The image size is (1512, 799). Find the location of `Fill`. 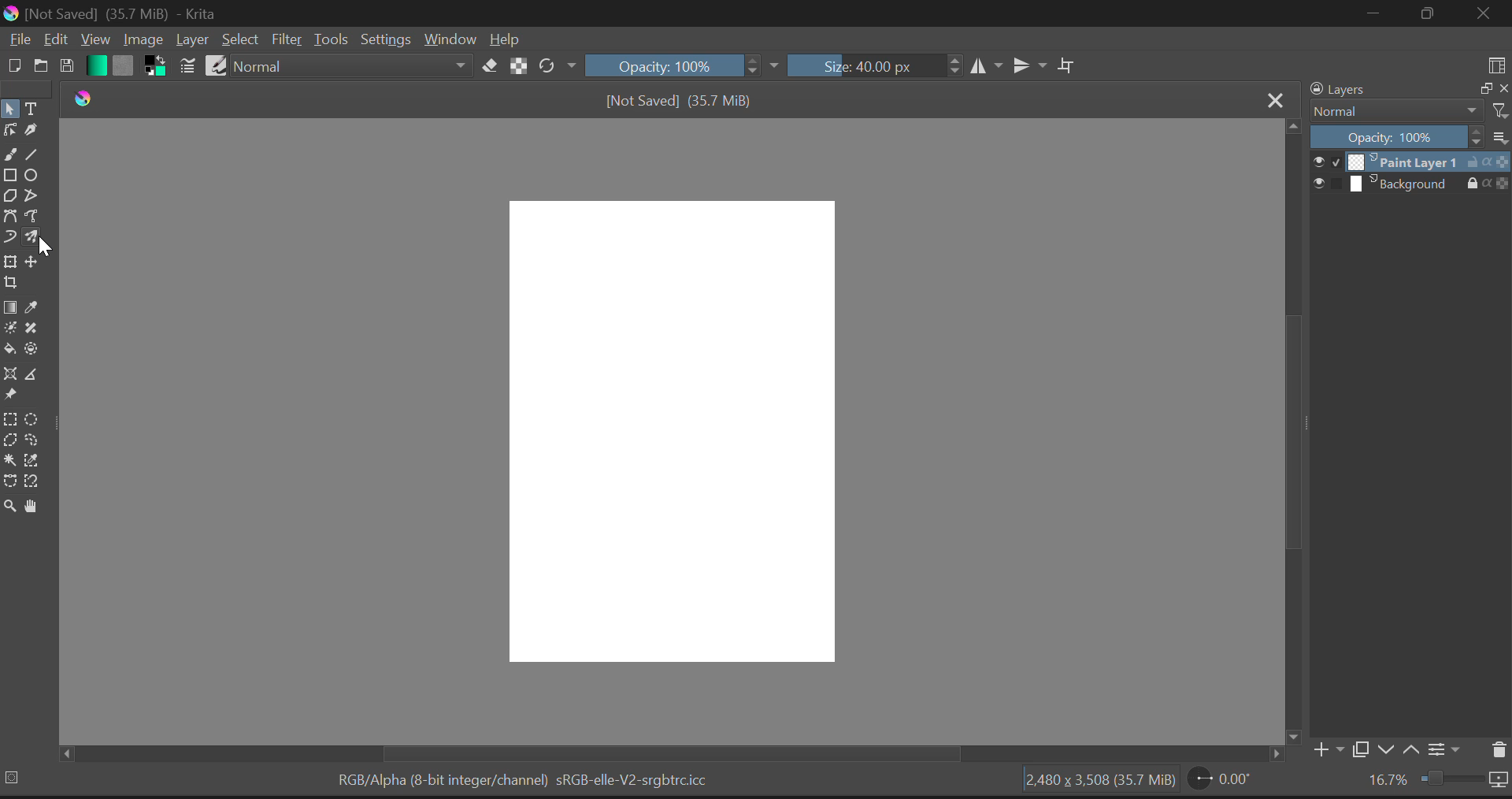

Fill is located at coordinates (9, 347).